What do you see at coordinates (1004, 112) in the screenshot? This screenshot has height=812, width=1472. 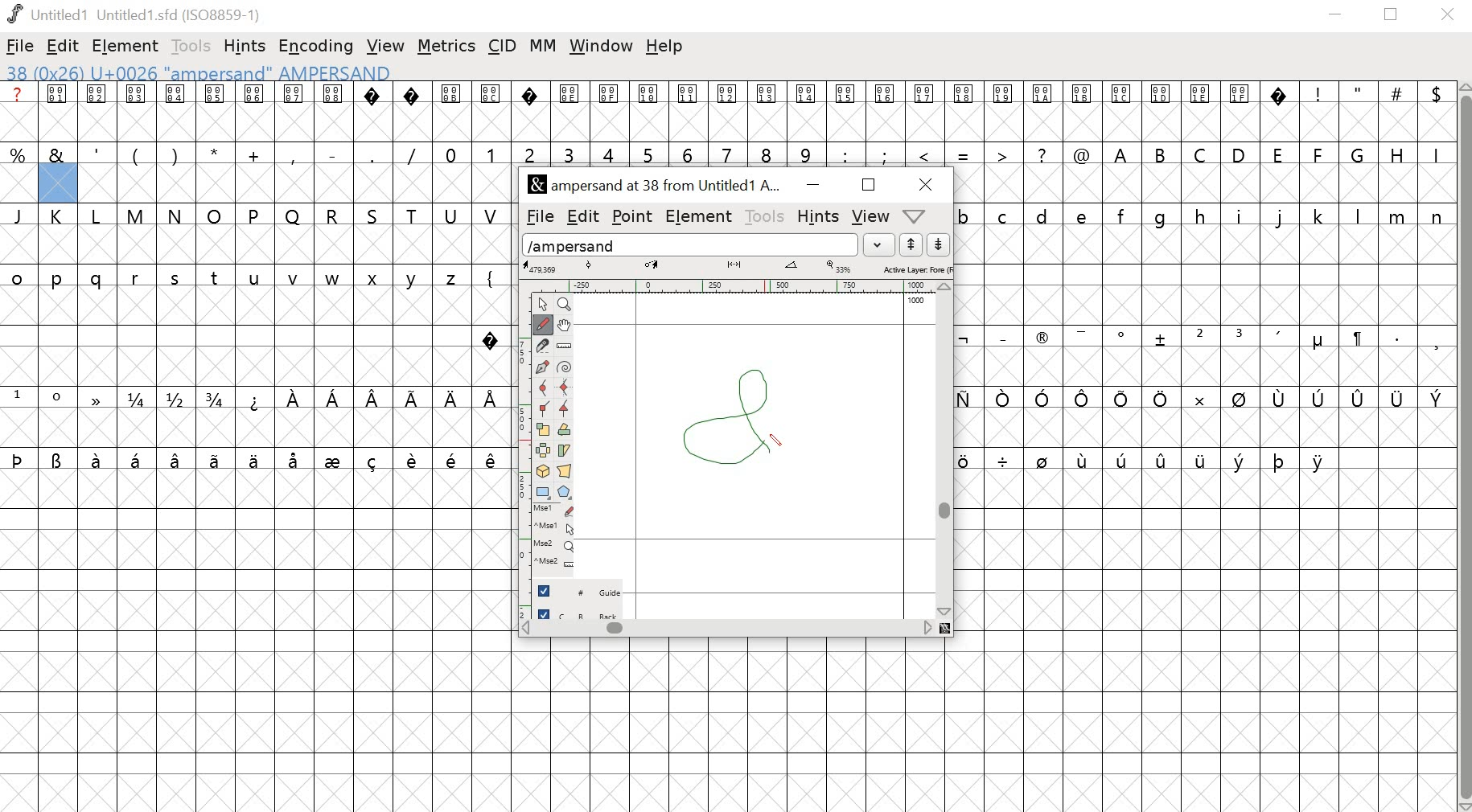 I see `0019` at bounding box center [1004, 112].